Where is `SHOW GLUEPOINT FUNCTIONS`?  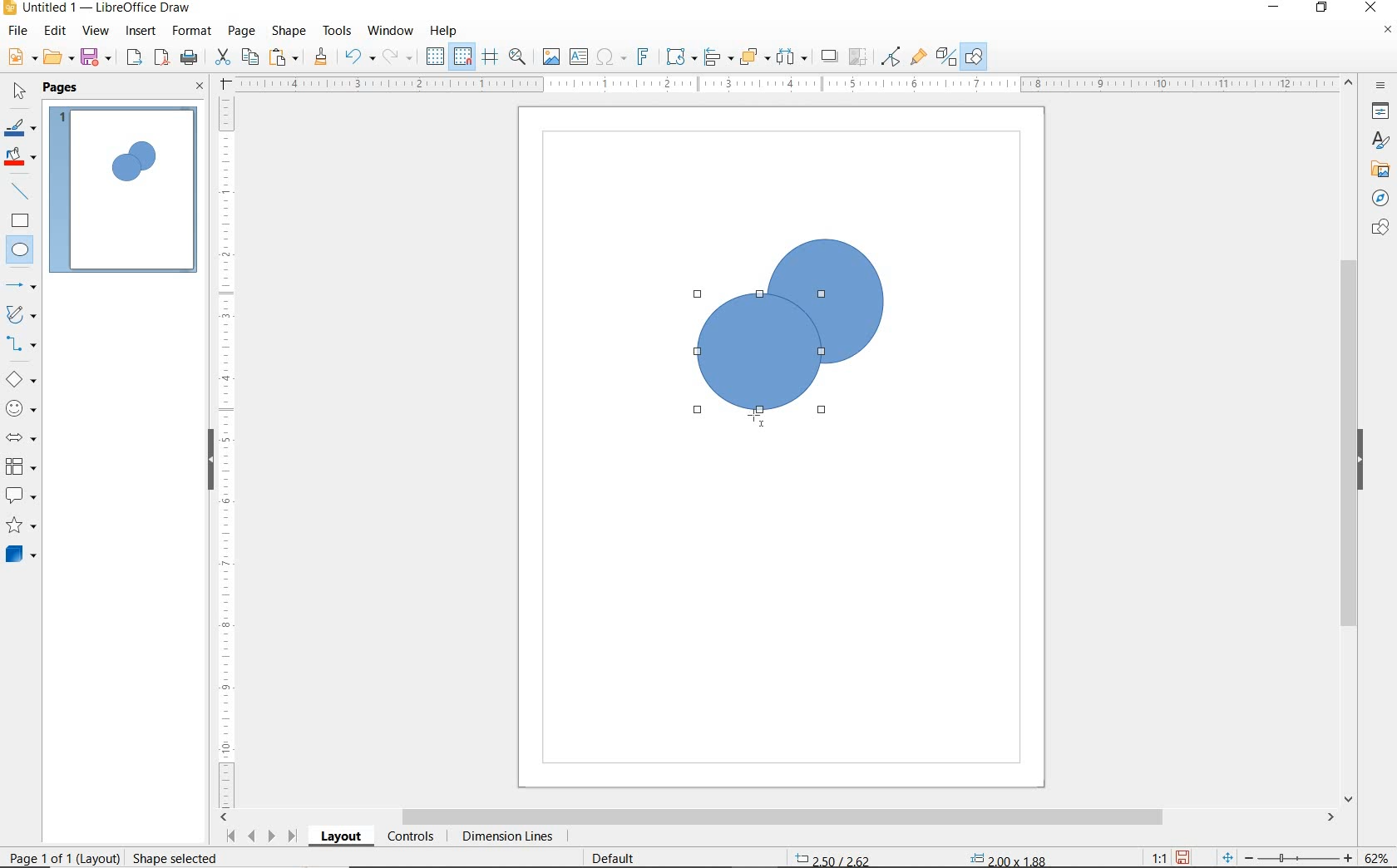
SHOW GLUEPOINT FUNCTIONS is located at coordinates (918, 57).